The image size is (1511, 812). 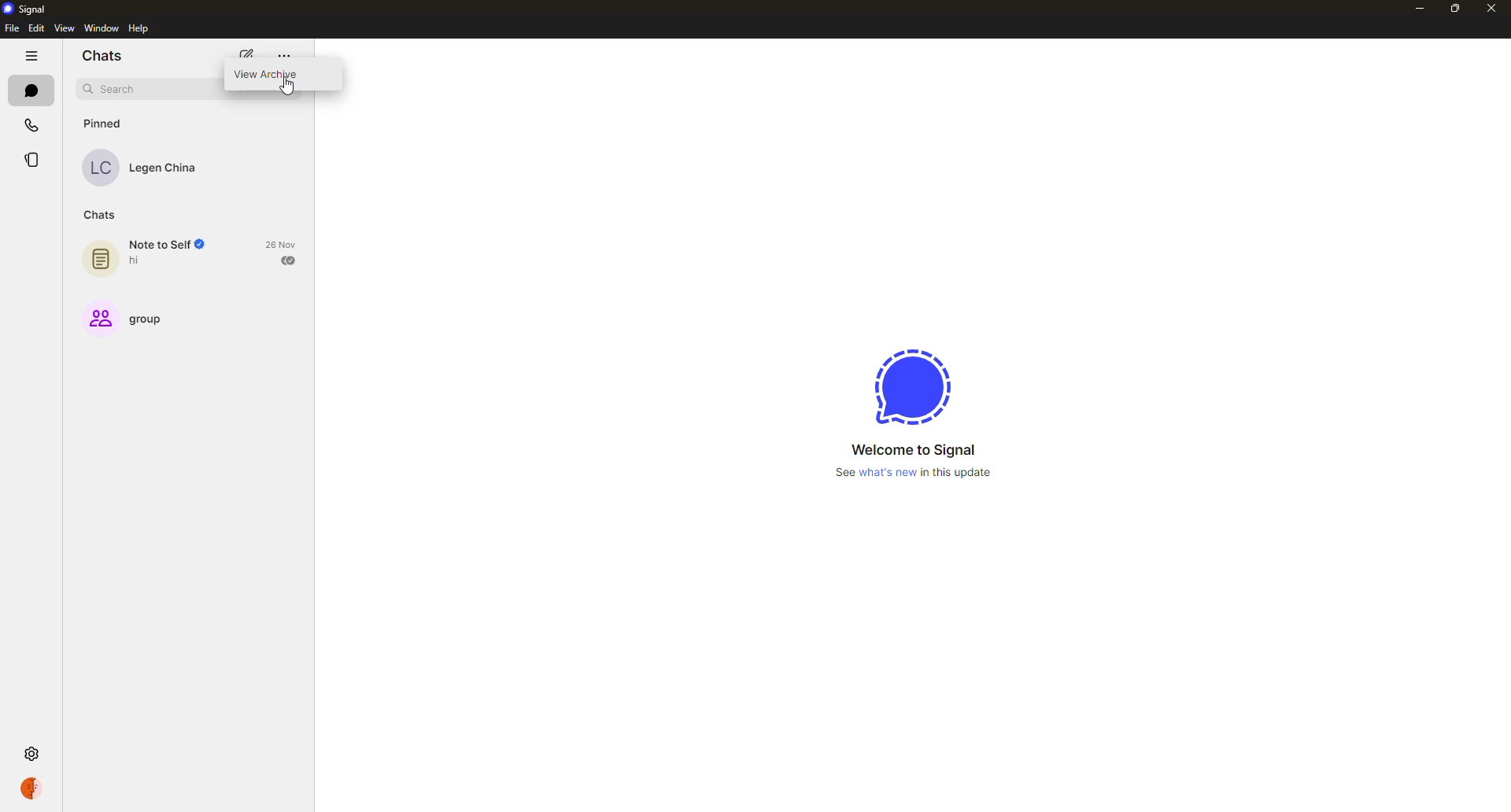 What do you see at coordinates (280, 245) in the screenshot?
I see `date` at bounding box center [280, 245].